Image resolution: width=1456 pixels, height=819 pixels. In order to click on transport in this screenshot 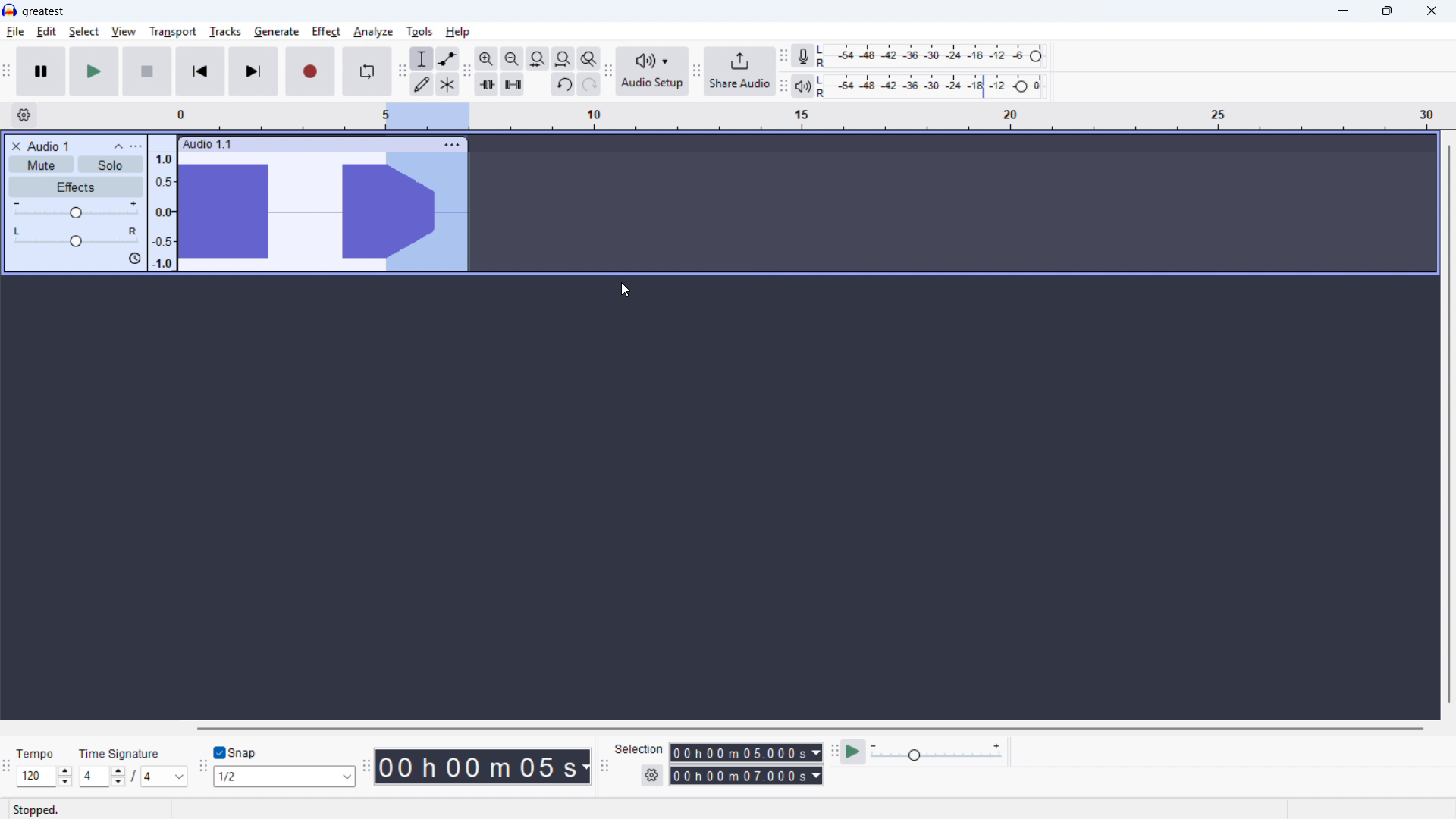, I will do `click(173, 32)`.